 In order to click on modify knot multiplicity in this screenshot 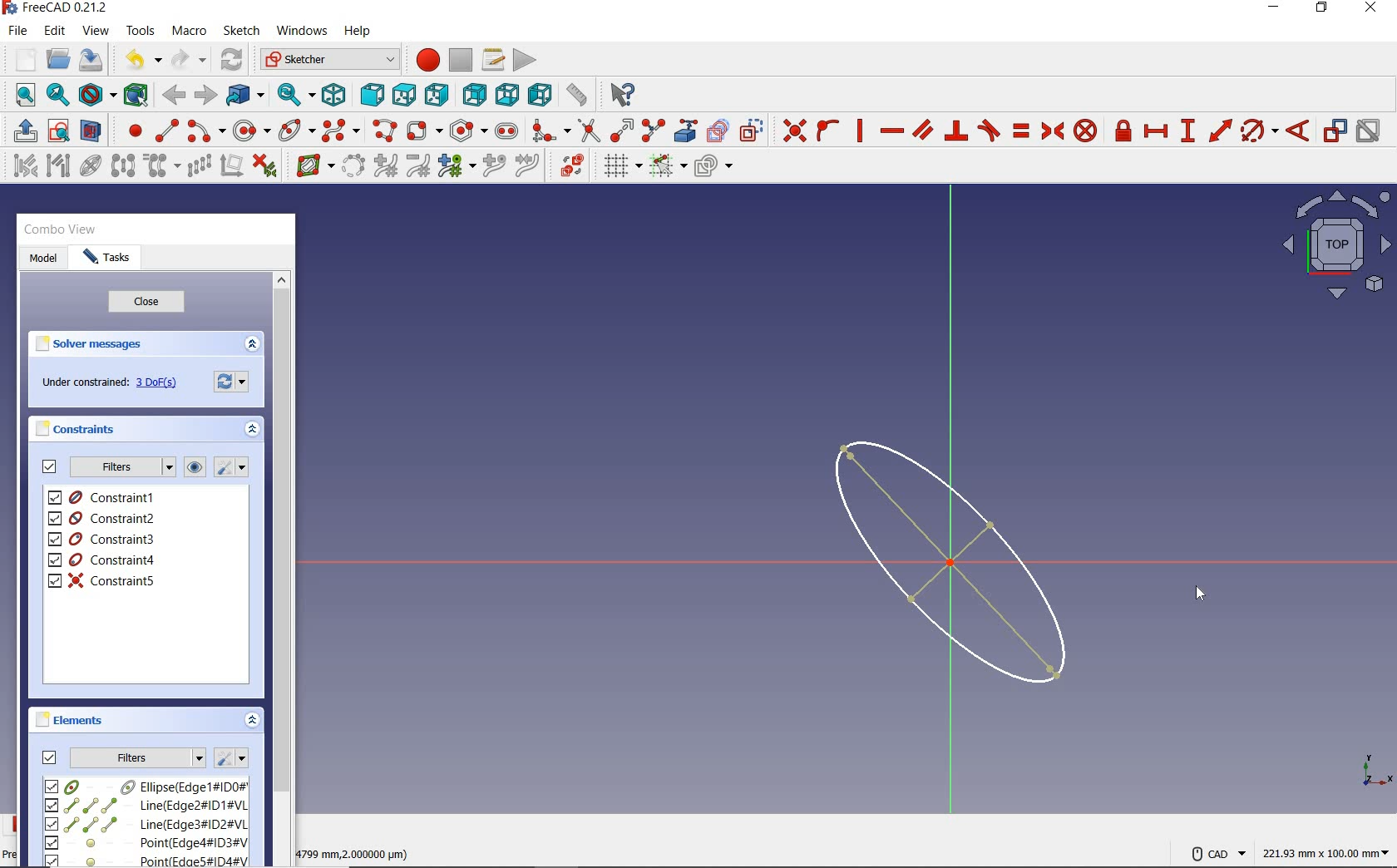, I will do `click(456, 165)`.